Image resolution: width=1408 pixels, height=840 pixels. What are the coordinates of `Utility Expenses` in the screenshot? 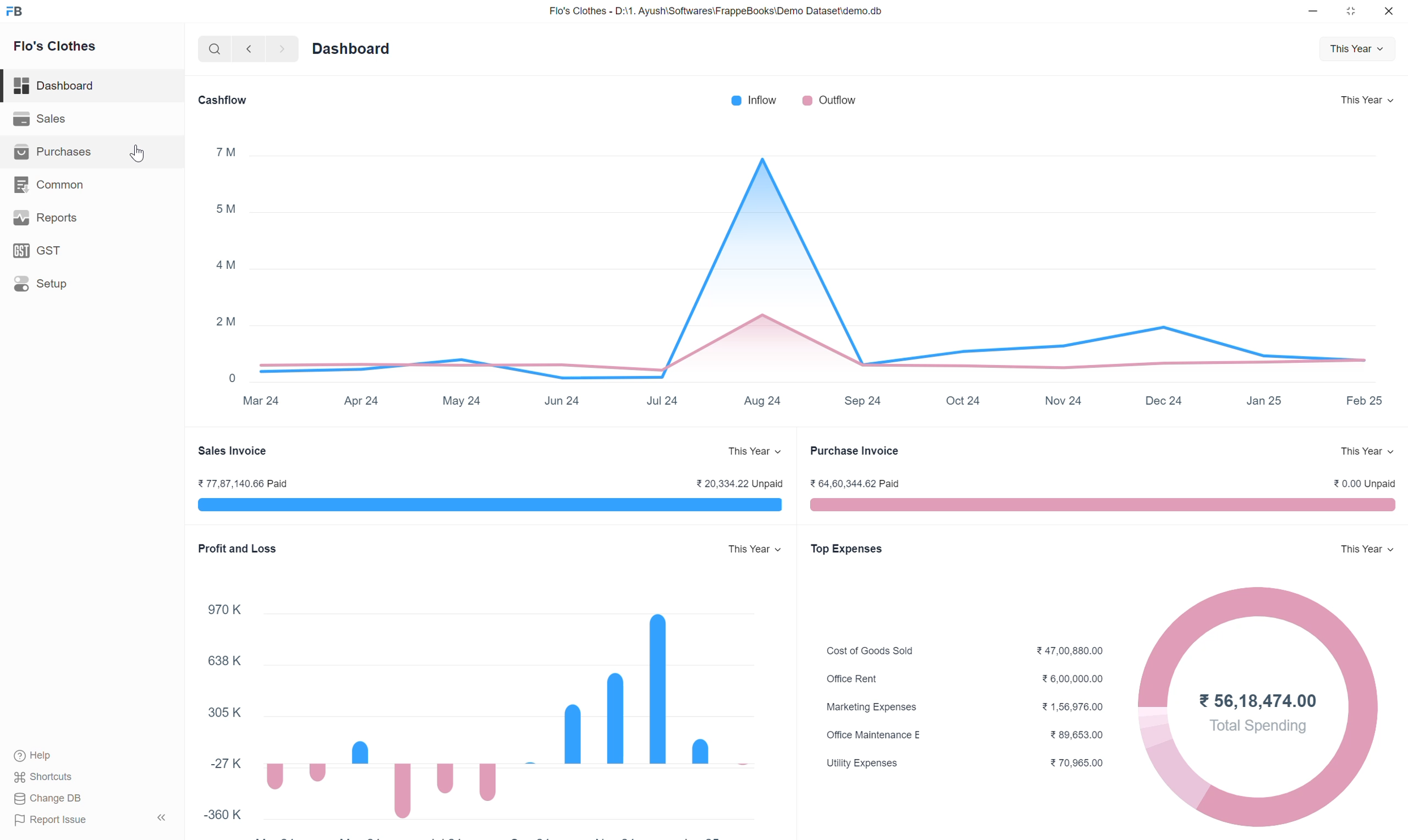 It's located at (862, 762).